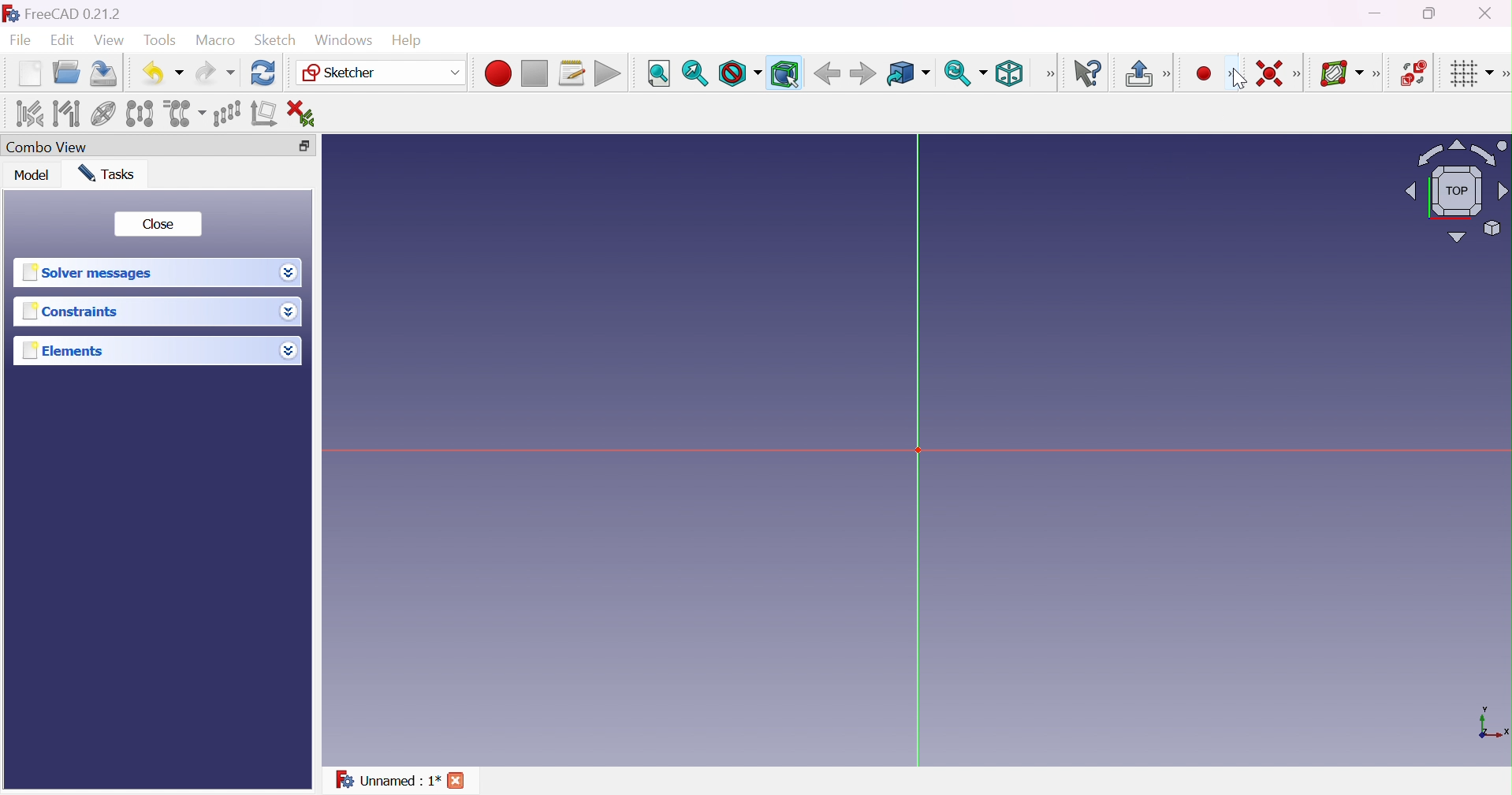 The width and height of the screenshot is (1512, 795). What do you see at coordinates (69, 72) in the screenshot?
I see `Open` at bounding box center [69, 72].